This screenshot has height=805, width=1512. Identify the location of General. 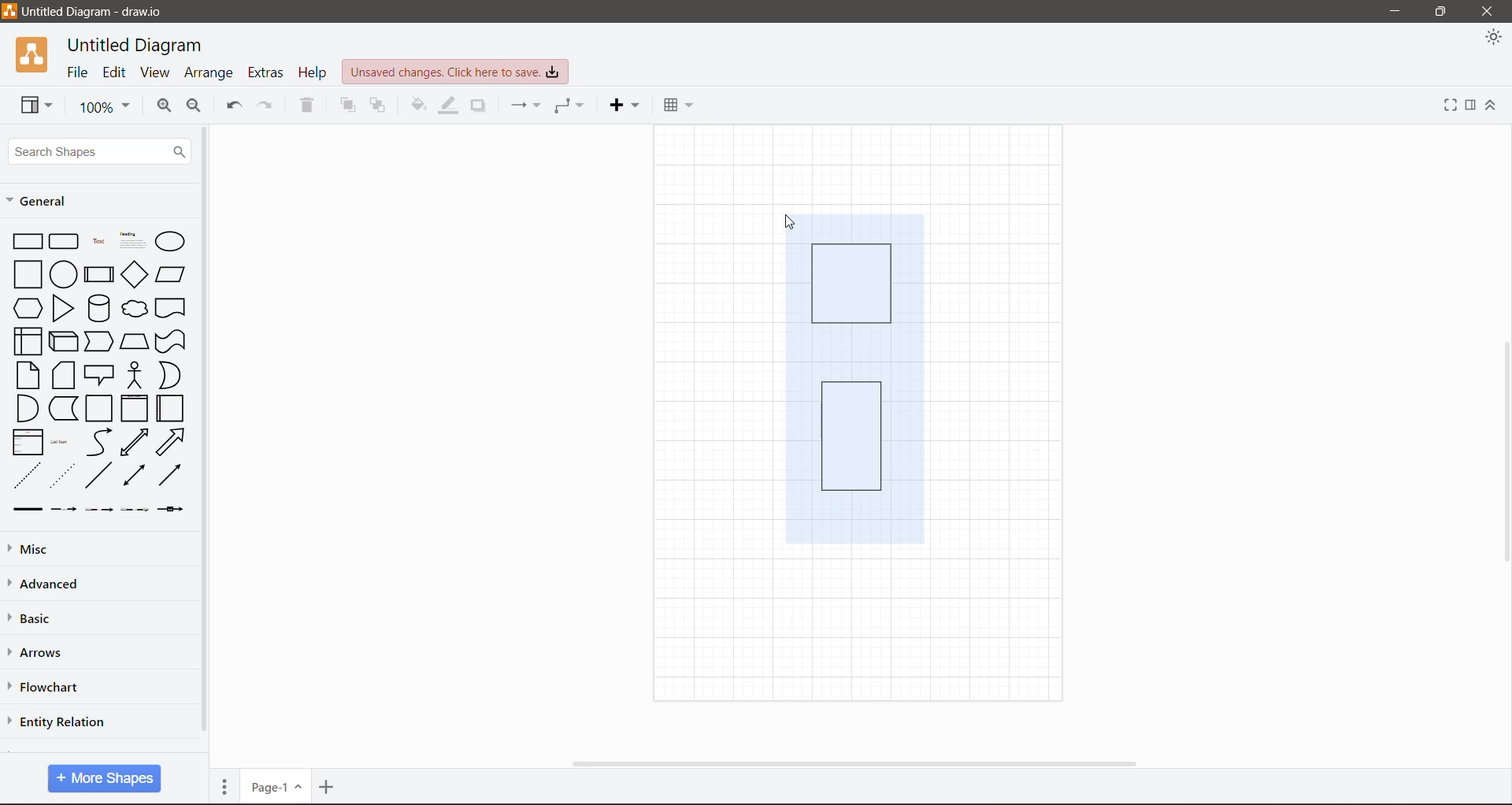
(48, 203).